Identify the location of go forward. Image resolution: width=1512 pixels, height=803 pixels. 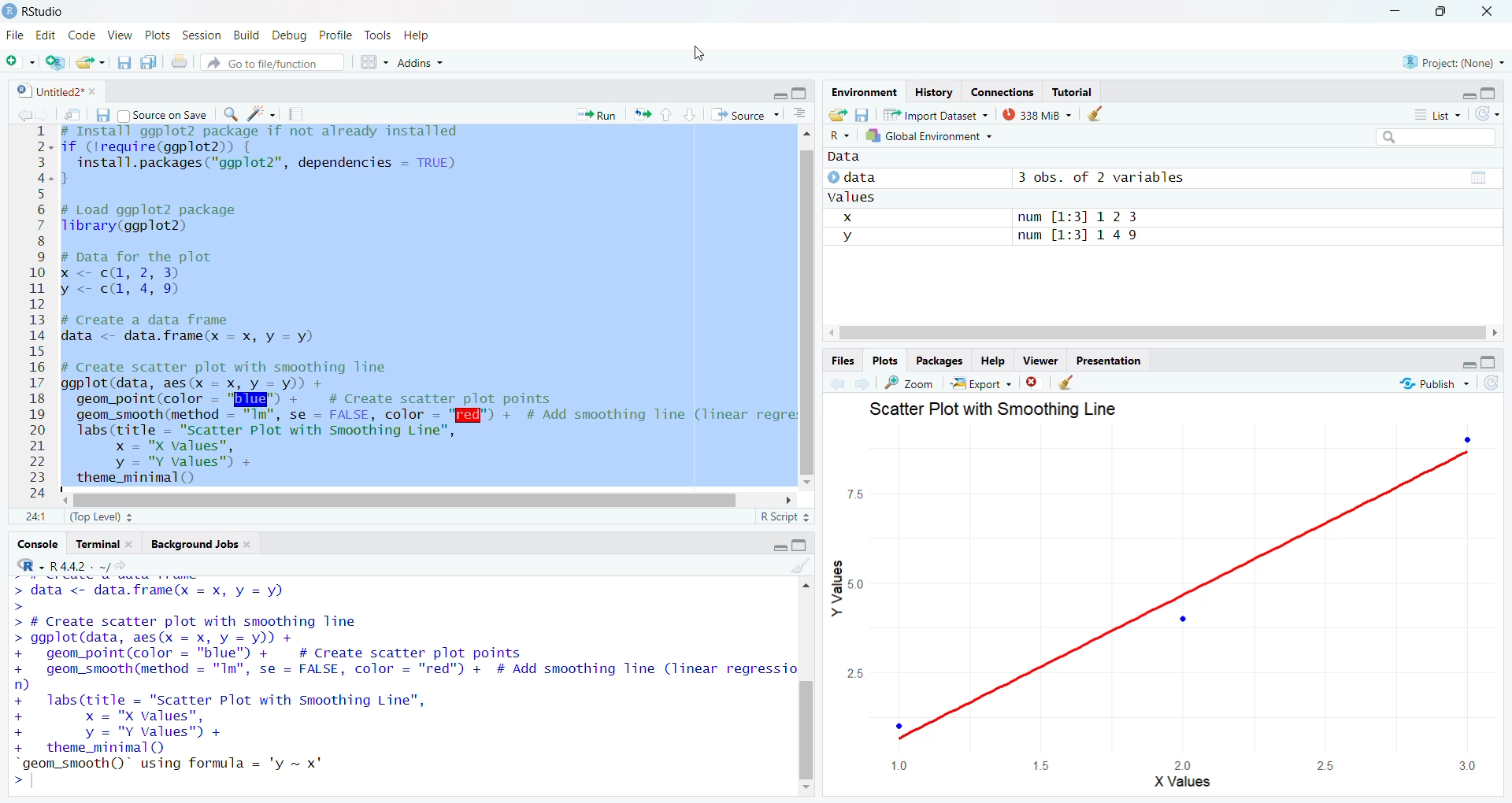
(865, 383).